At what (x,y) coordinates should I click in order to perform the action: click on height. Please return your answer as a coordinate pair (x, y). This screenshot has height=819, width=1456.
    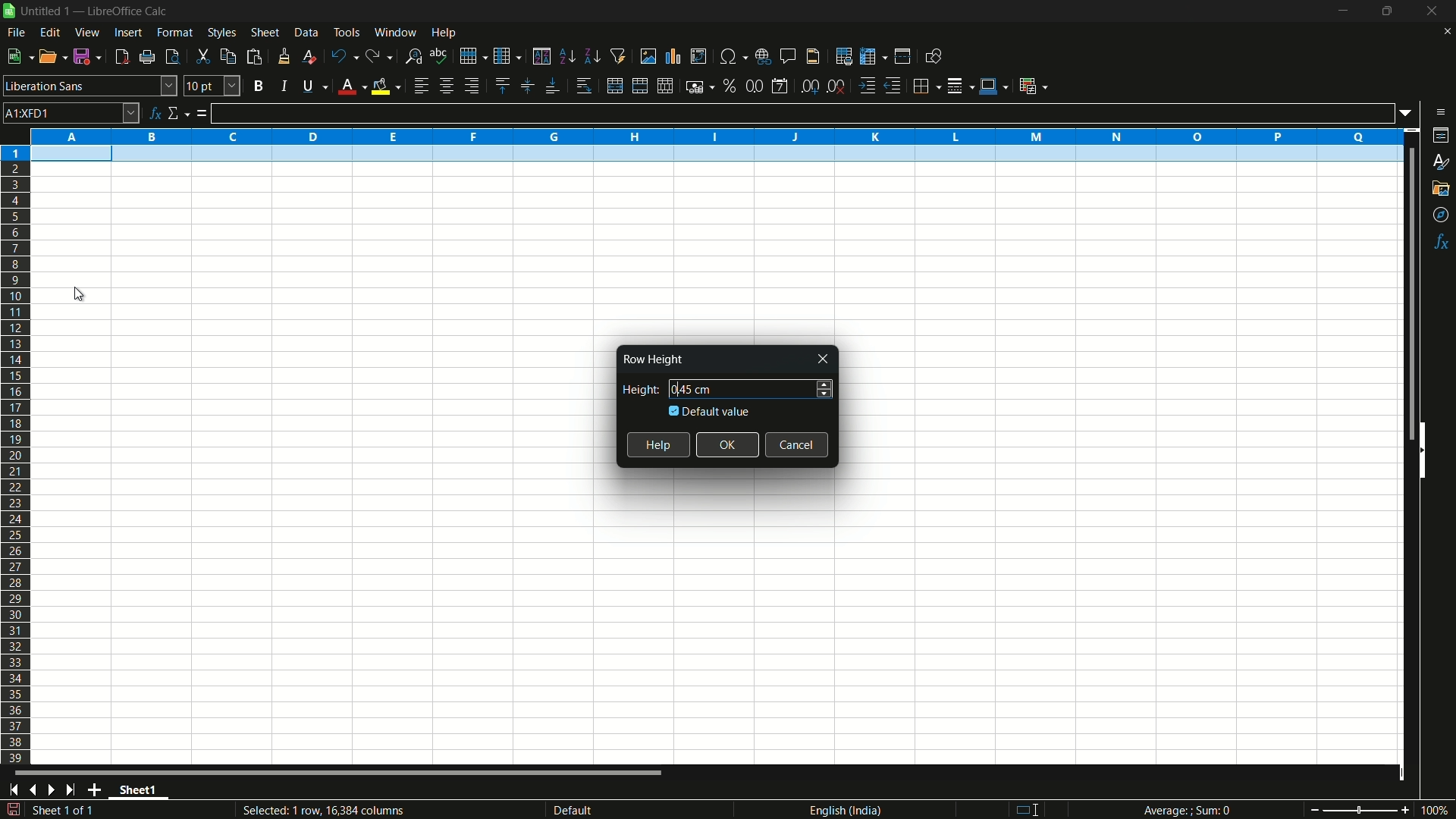
    Looking at the image, I should click on (637, 390).